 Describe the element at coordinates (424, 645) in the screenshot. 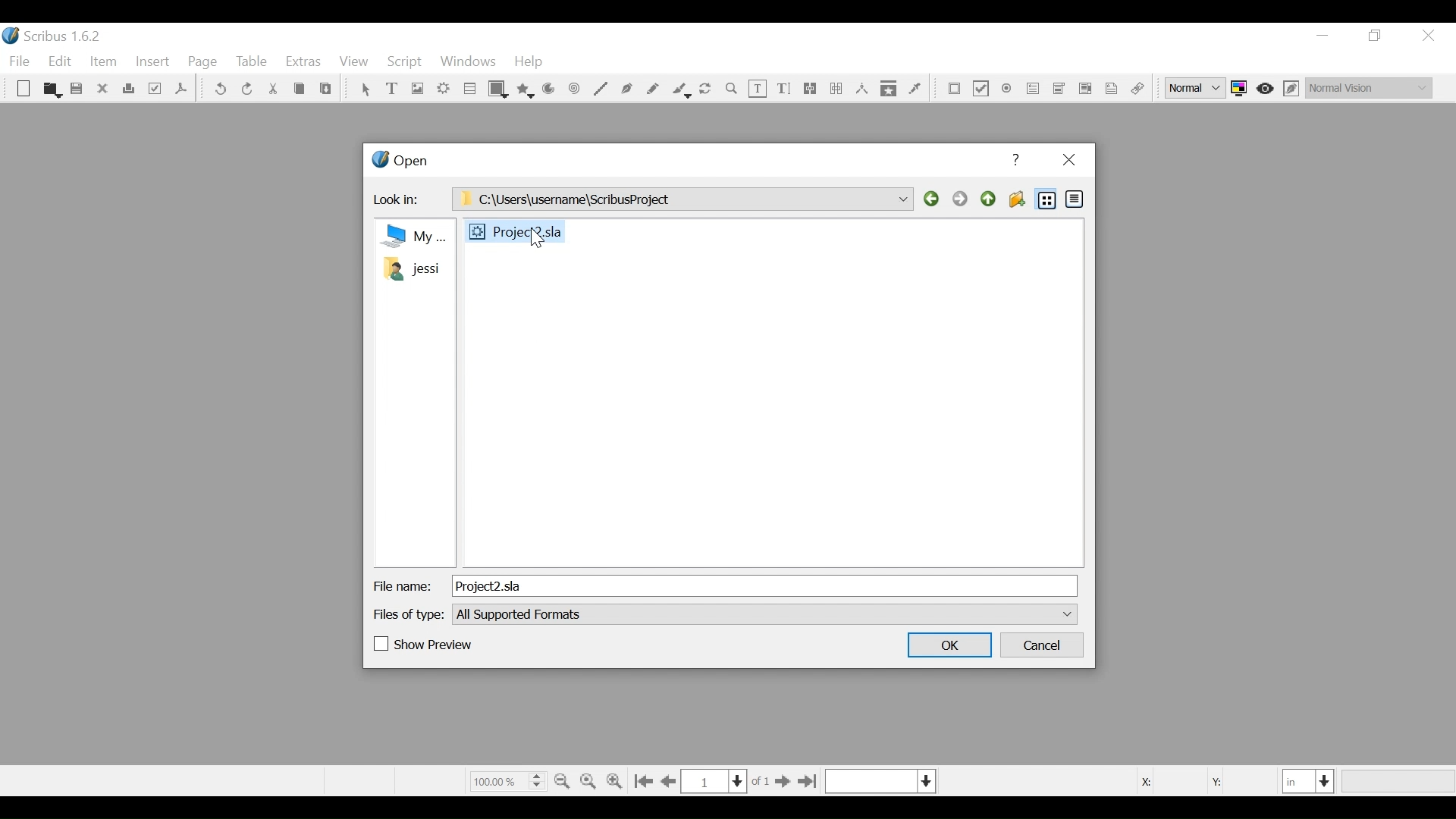

I see `(un)check Show Preview` at that location.